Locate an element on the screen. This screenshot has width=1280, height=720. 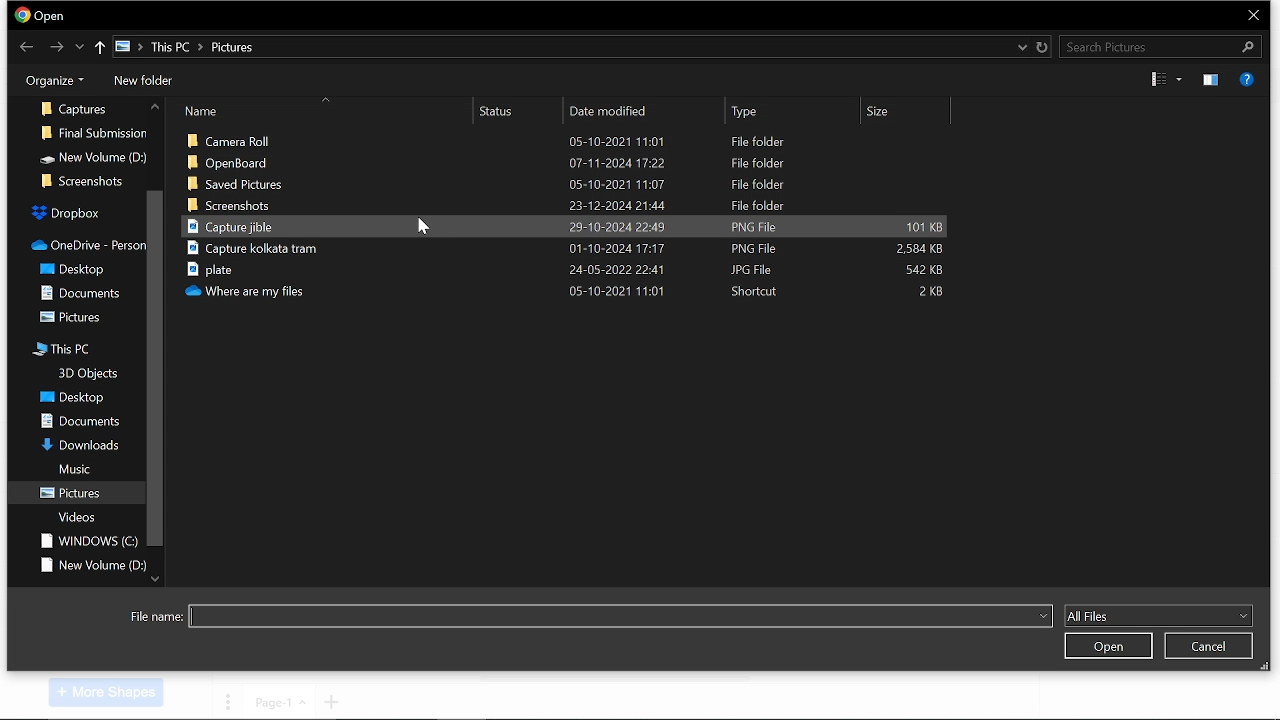
folders is located at coordinates (93, 565).